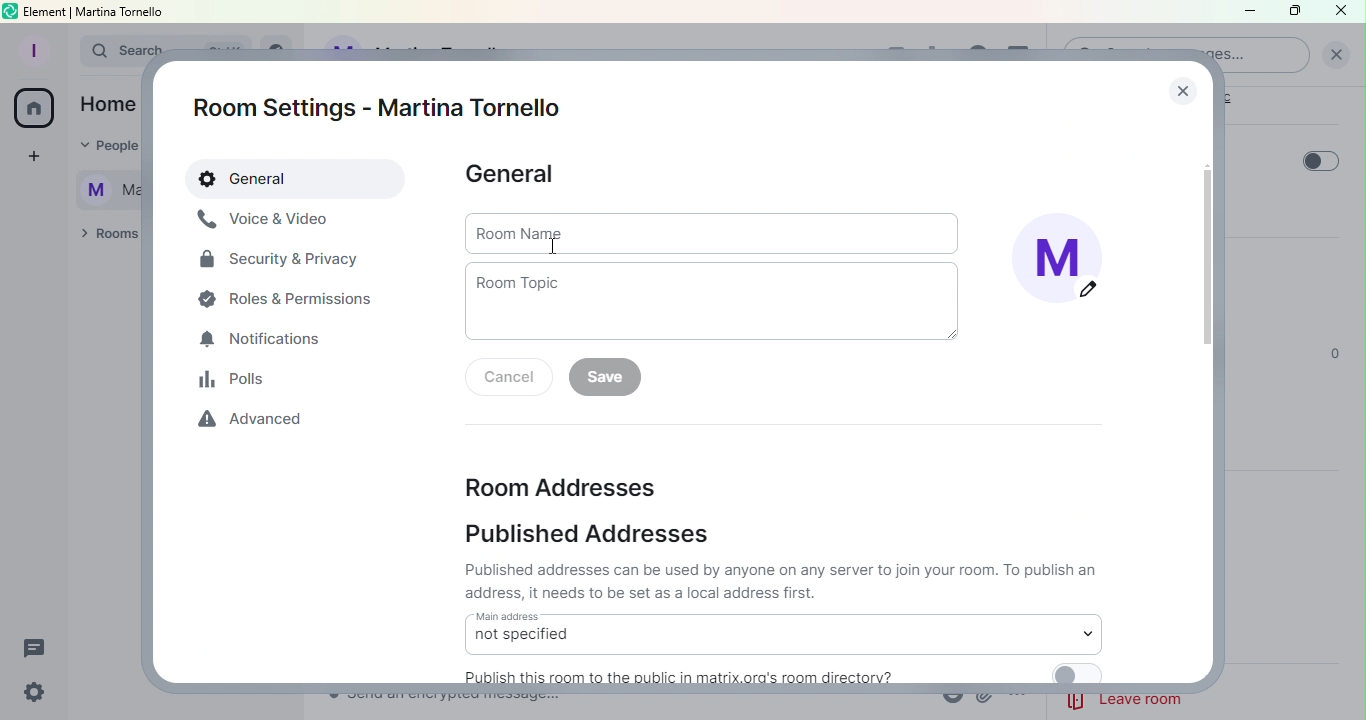  Describe the element at coordinates (39, 644) in the screenshot. I see `Threads` at that location.